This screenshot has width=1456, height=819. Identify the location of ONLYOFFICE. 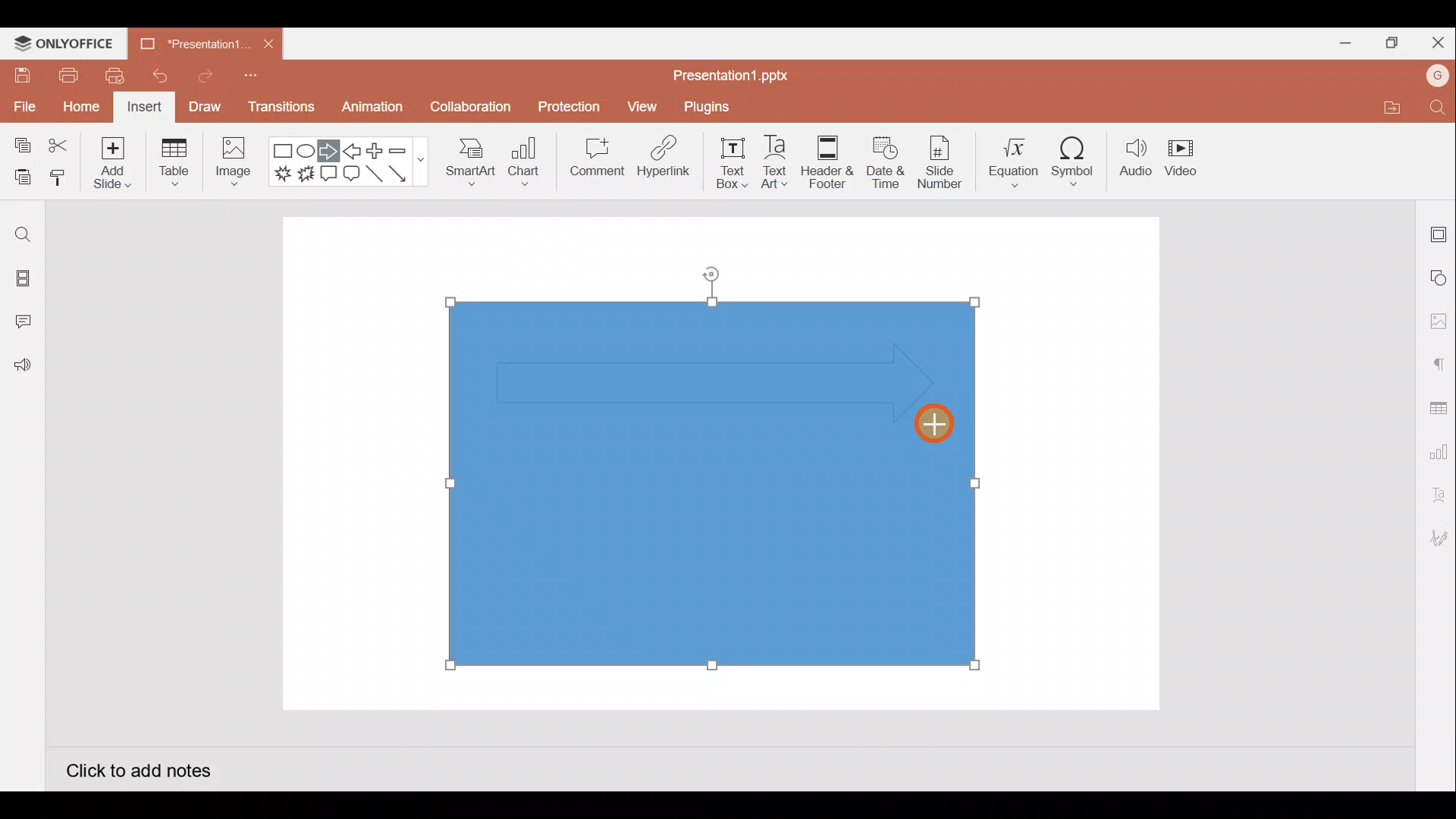
(64, 43).